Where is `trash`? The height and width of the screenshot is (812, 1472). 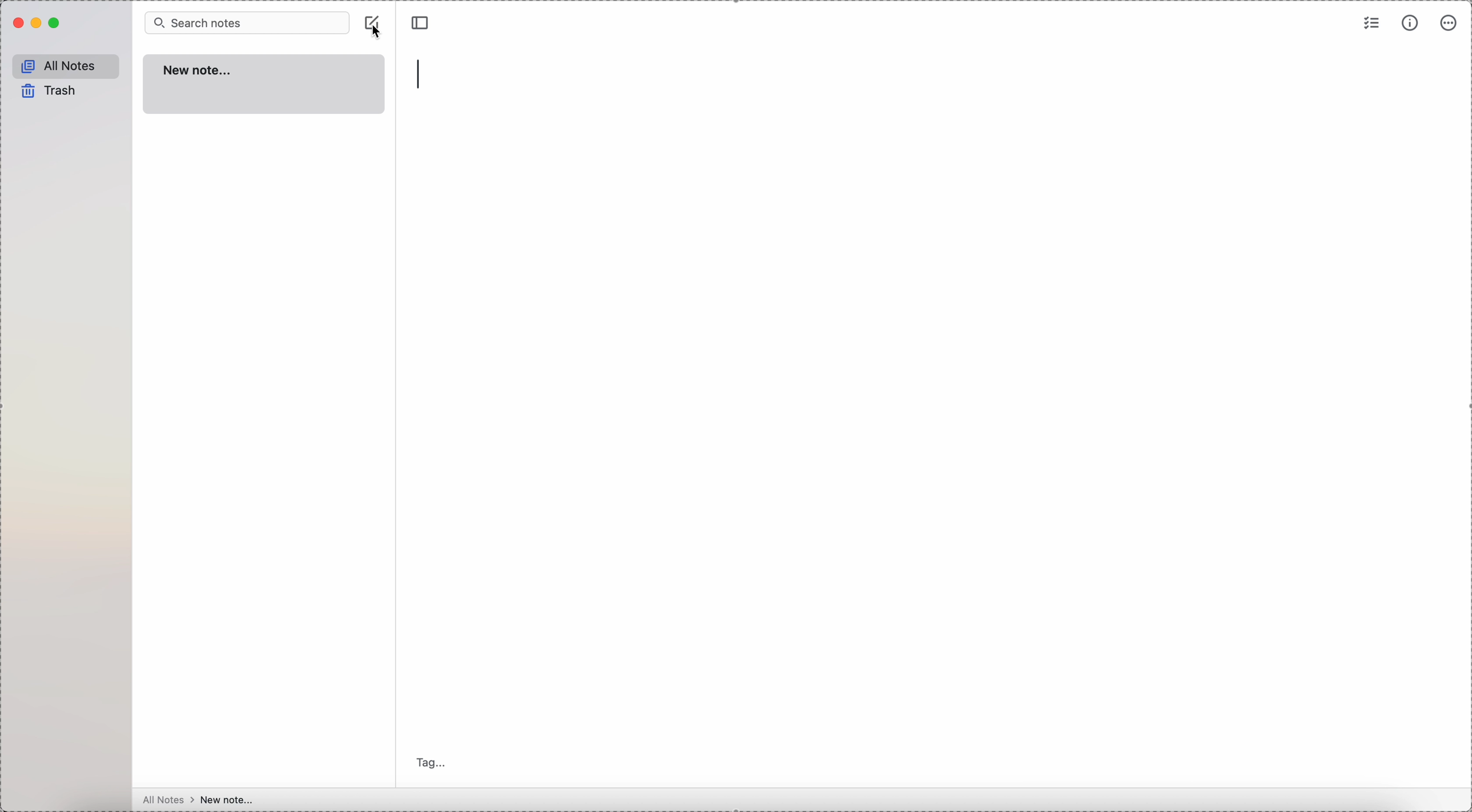
trash is located at coordinates (47, 91).